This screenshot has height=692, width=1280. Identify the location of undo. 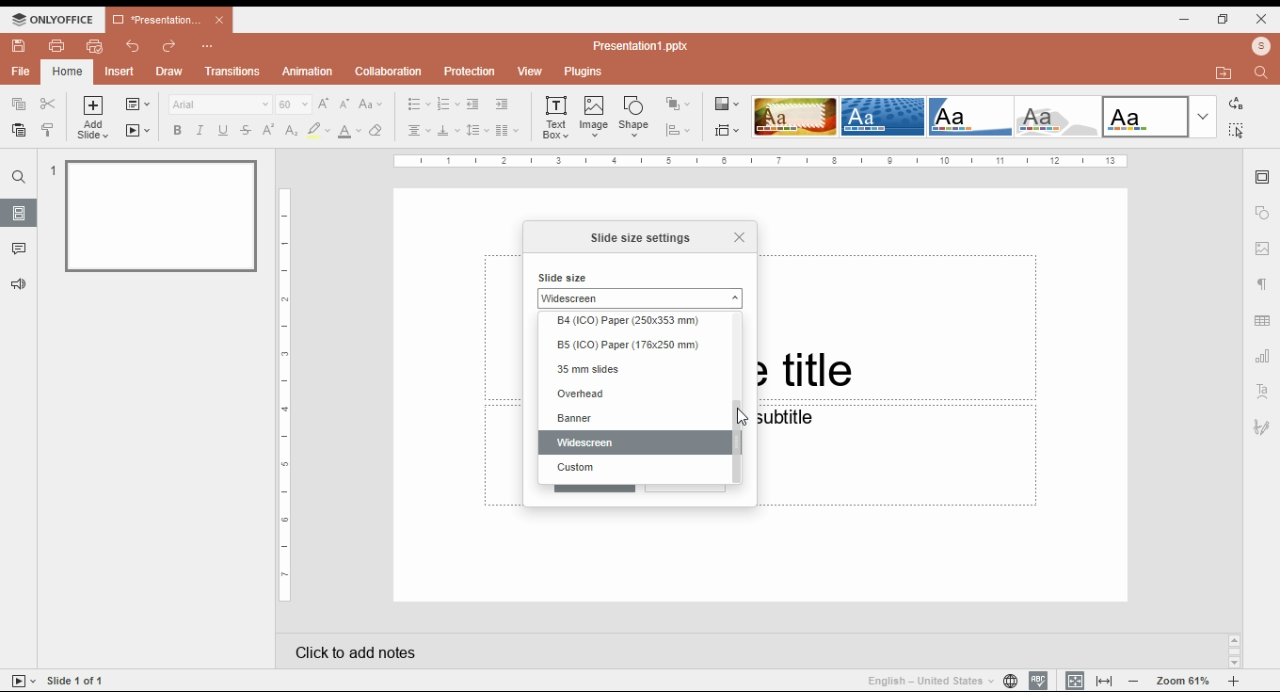
(134, 46).